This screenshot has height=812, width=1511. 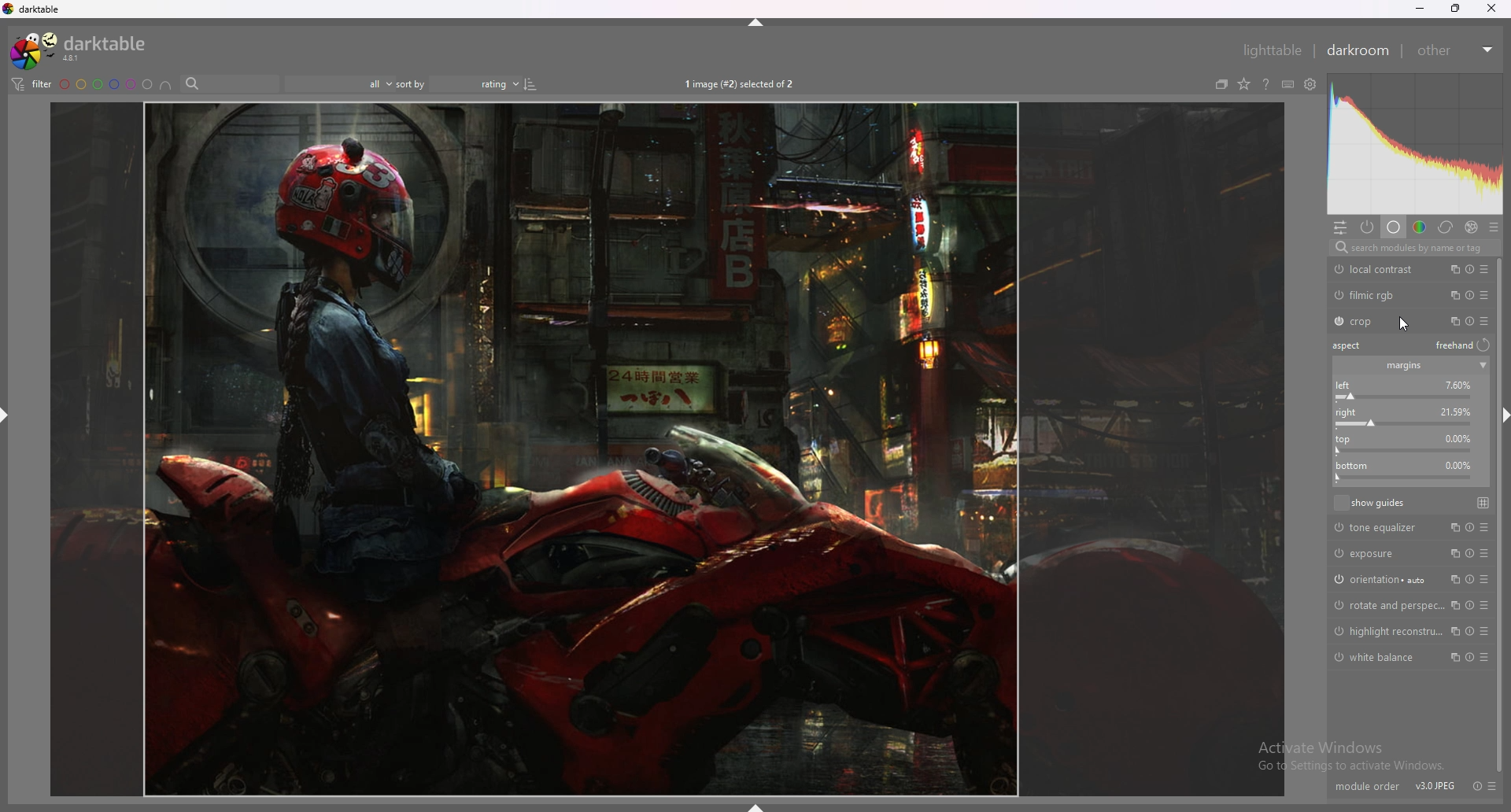 What do you see at coordinates (166, 84) in the screenshot?
I see `include color labels` at bounding box center [166, 84].